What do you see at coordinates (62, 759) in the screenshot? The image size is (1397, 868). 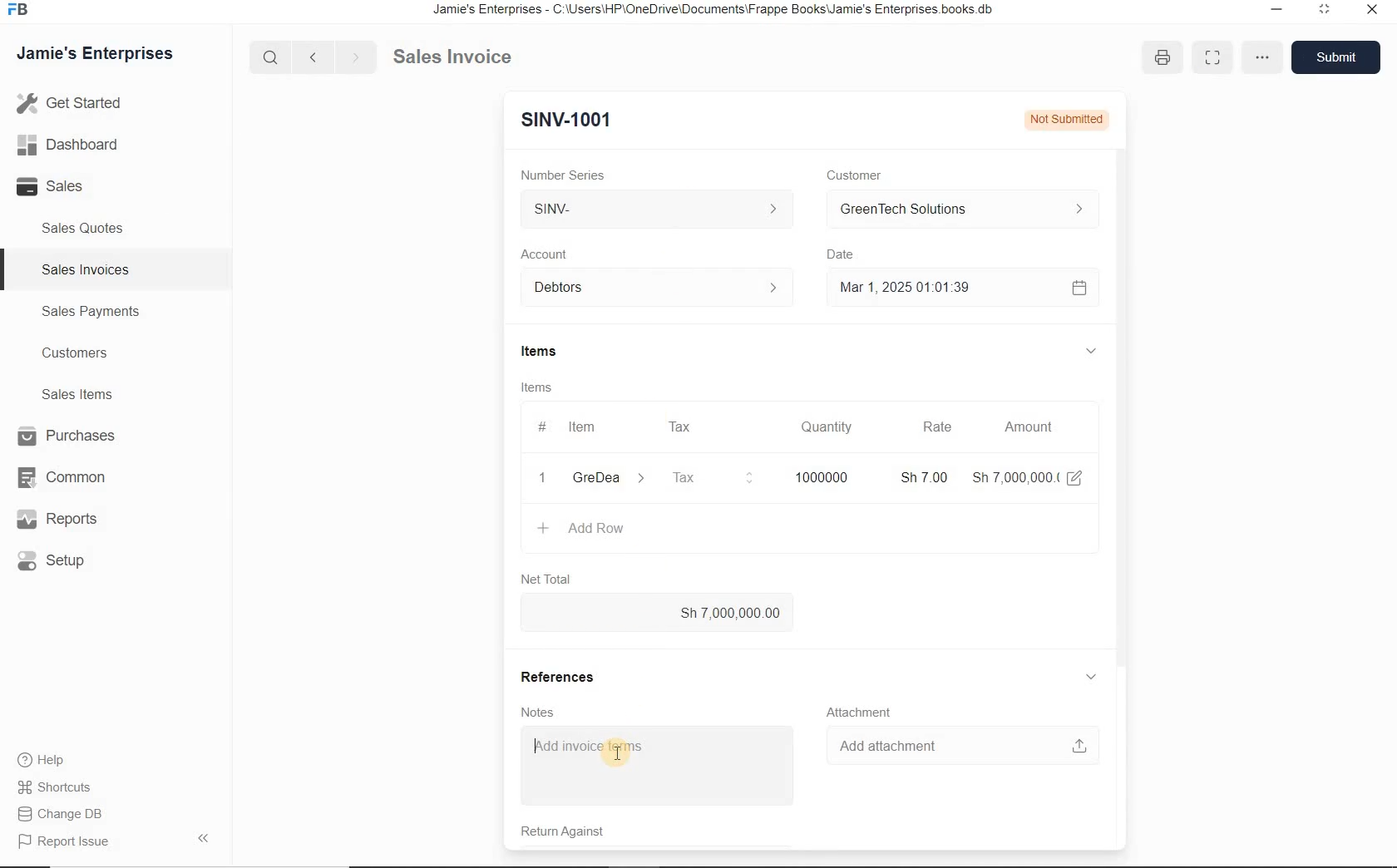 I see `) Help` at bounding box center [62, 759].